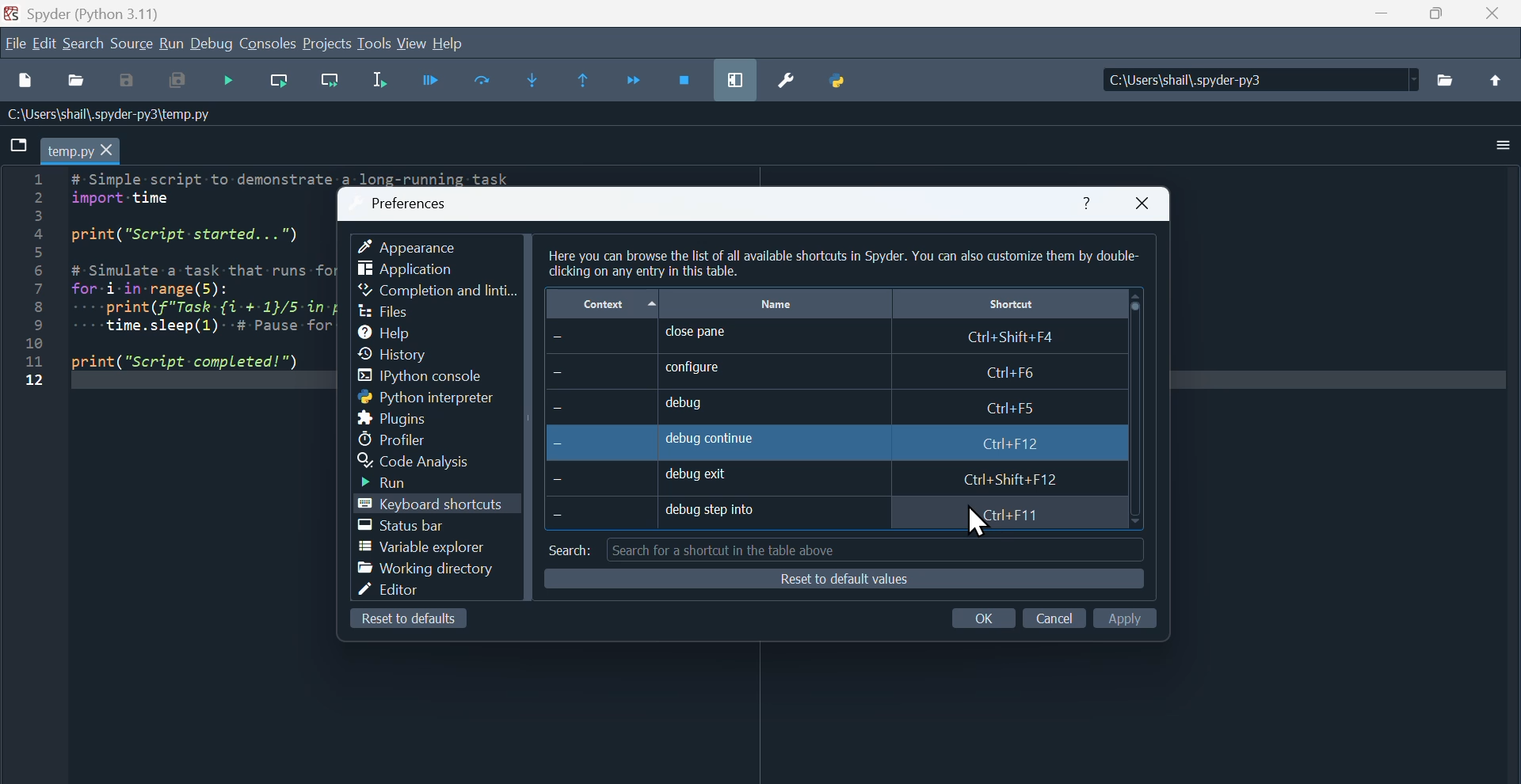 The width and height of the screenshot is (1521, 784). What do you see at coordinates (398, 438) in the screenshot?
I see `Profiler` at bounding box center [398, 438].